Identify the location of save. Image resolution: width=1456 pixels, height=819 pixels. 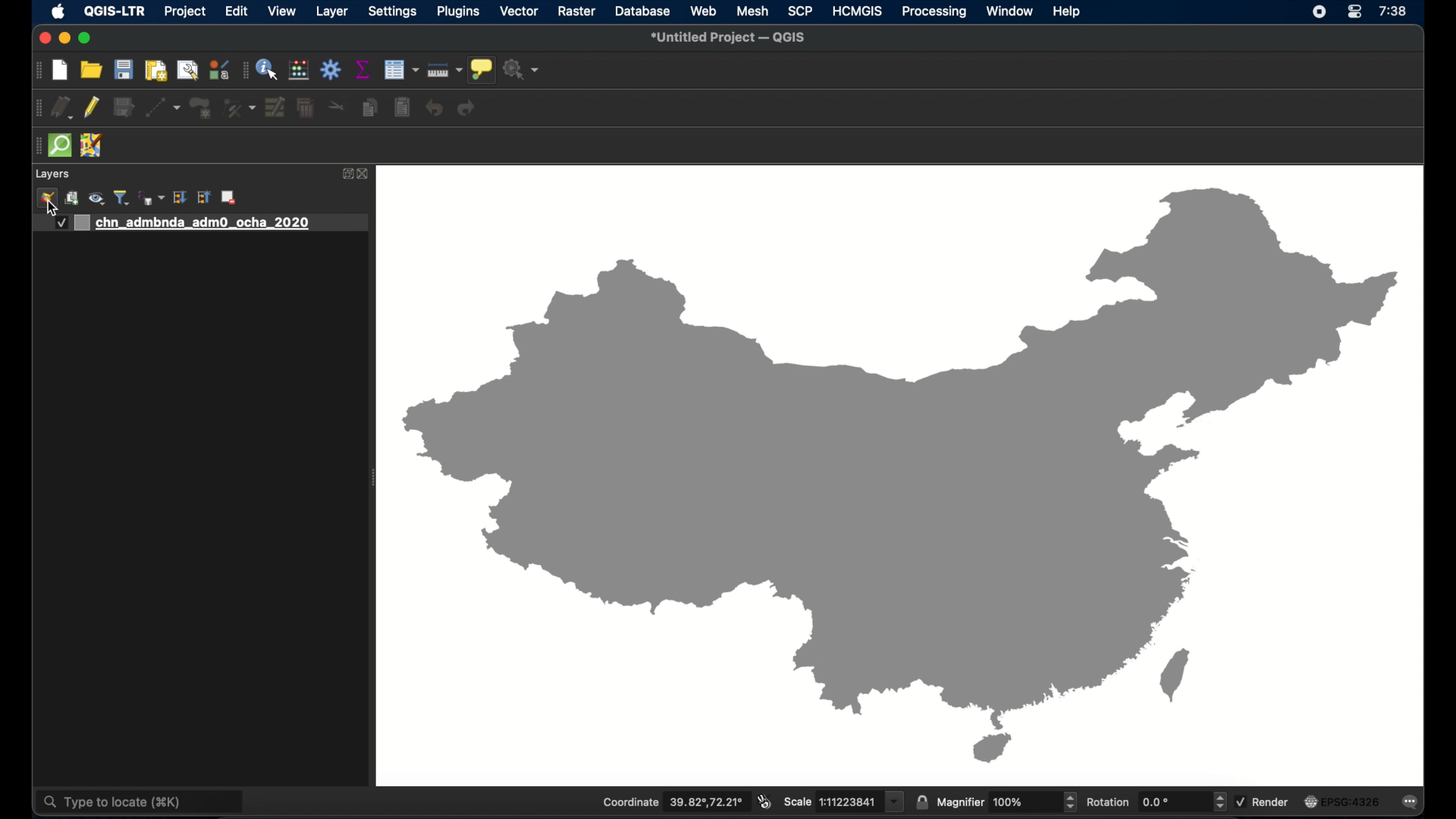
(124, 69).